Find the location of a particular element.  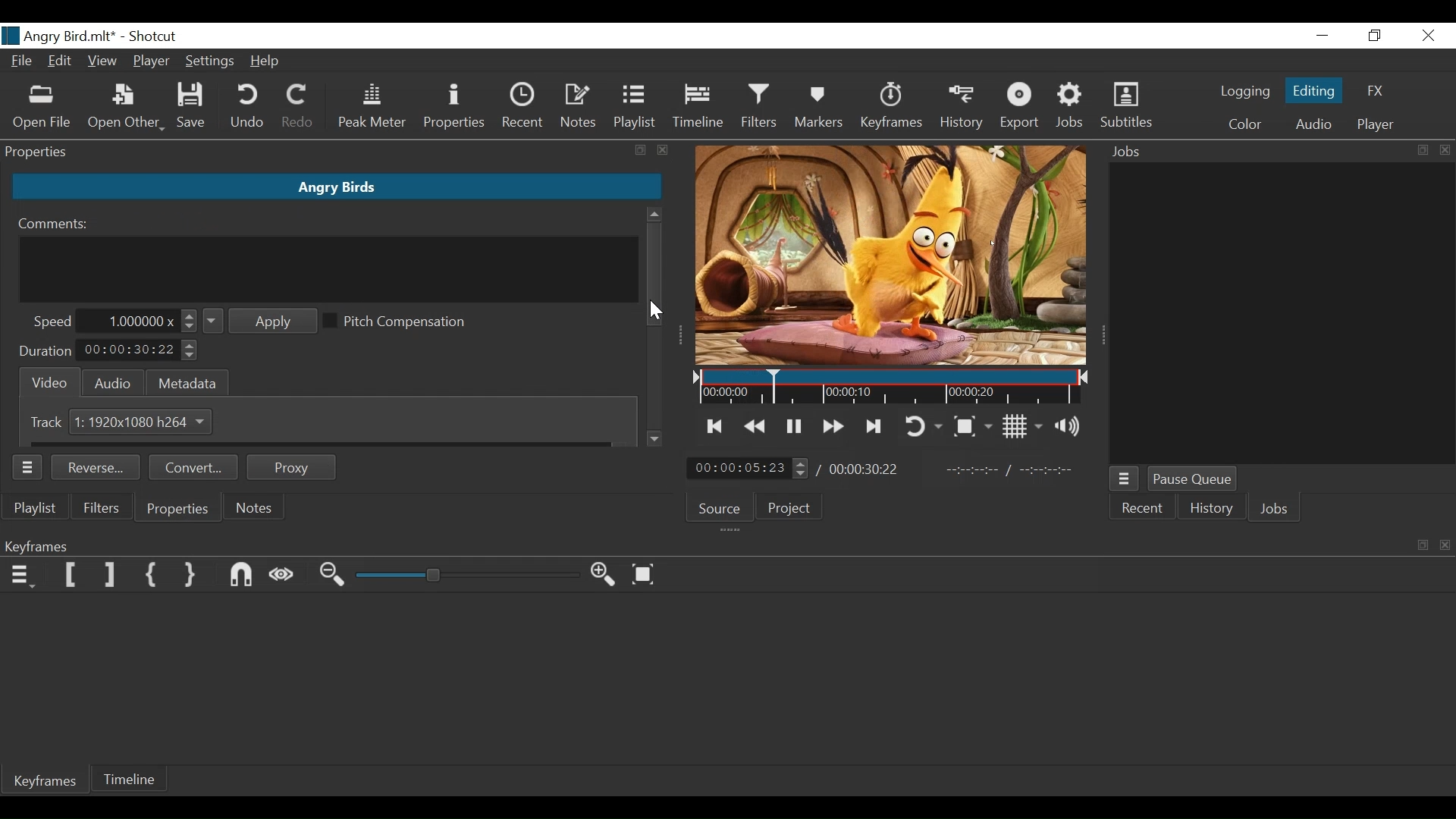

Skip to the next point  is located at coordinates (875, 426).